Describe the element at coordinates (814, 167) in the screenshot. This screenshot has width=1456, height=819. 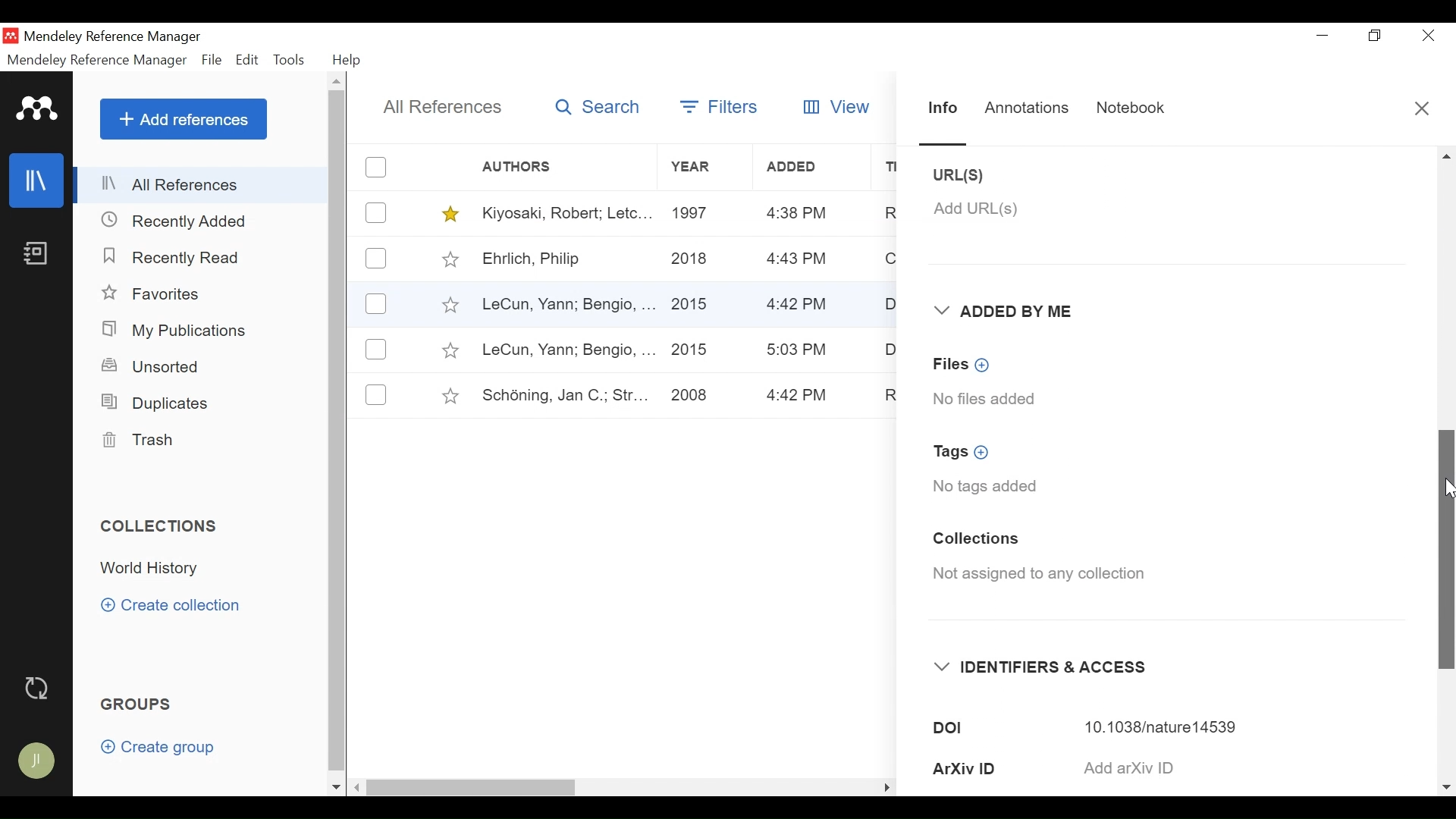
I see `Added` at that location.